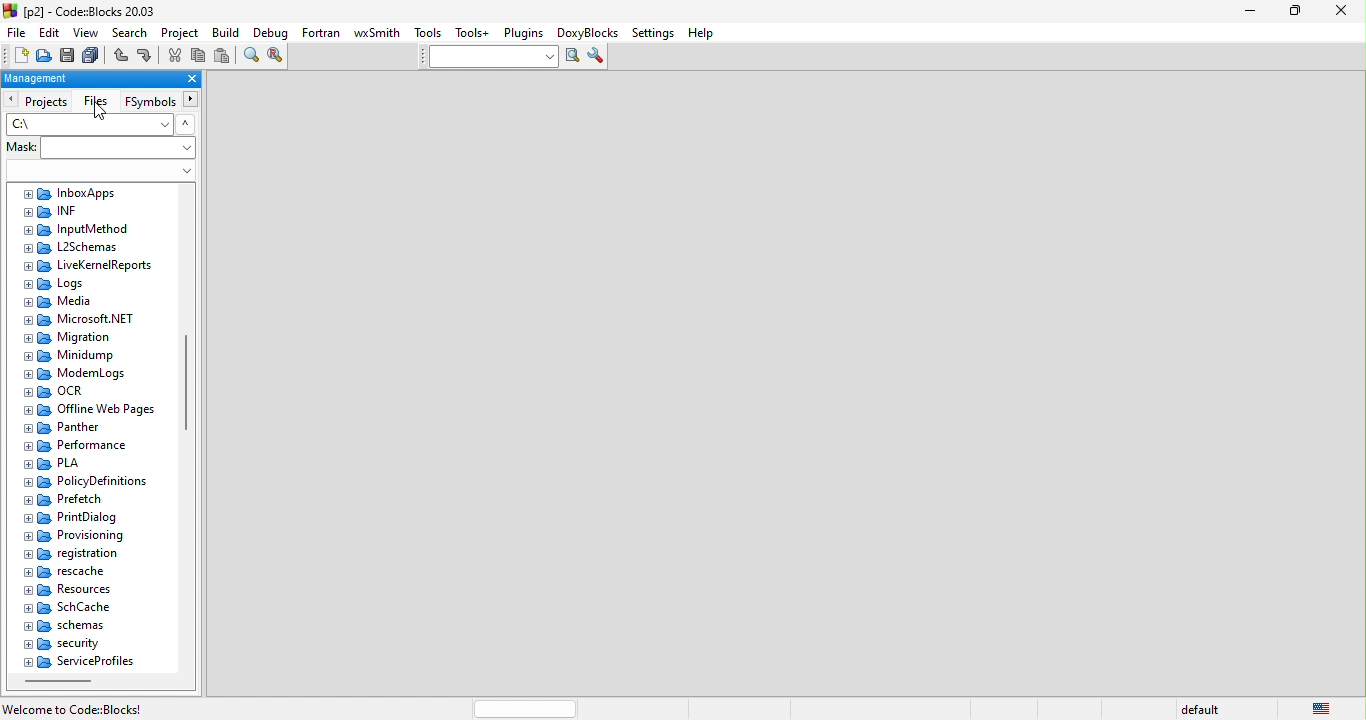 This screenshot has height=720, width=1366. I want to click on find, so click(250, 57).